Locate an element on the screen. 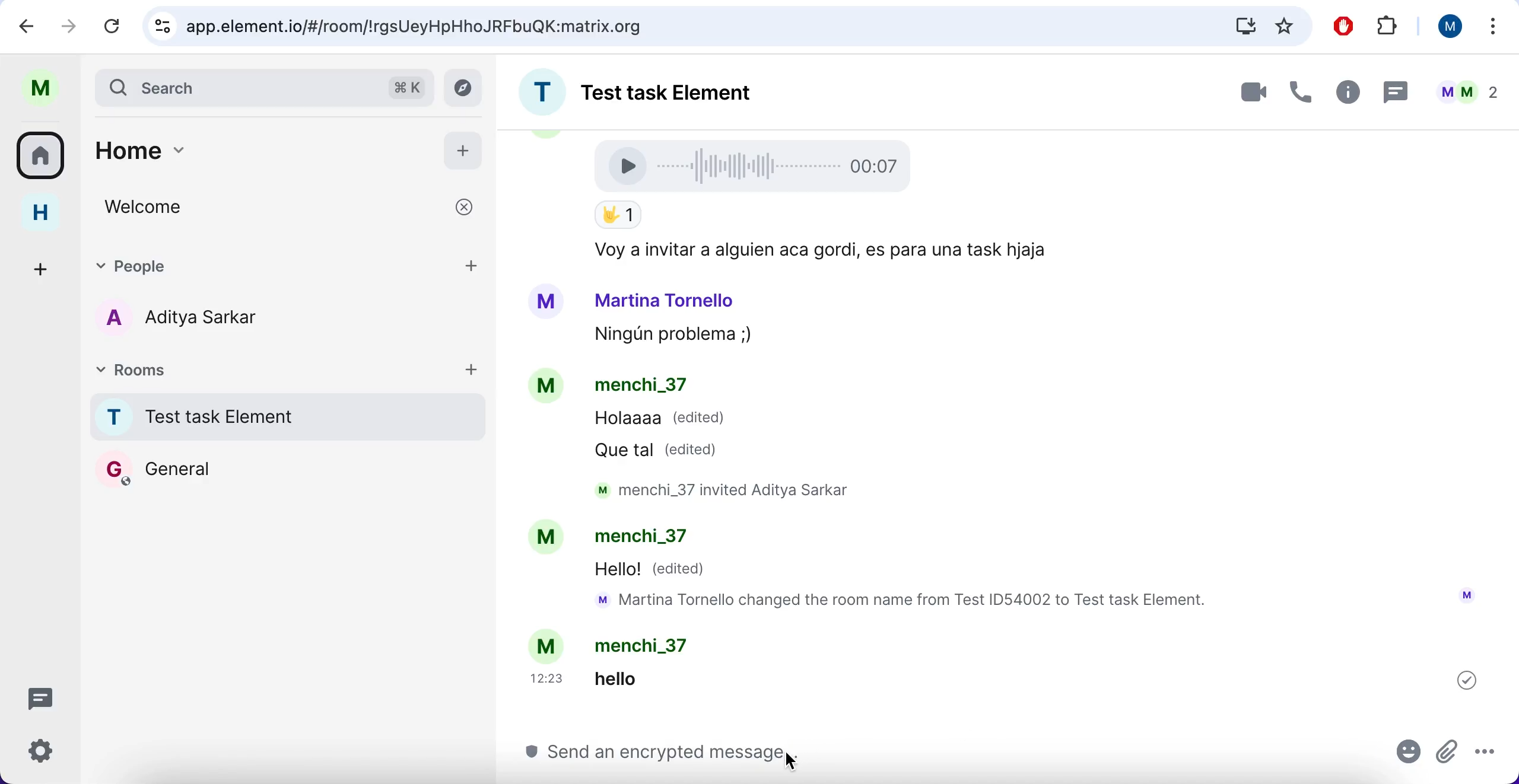  attachment is located at coordinates (1447, 750).